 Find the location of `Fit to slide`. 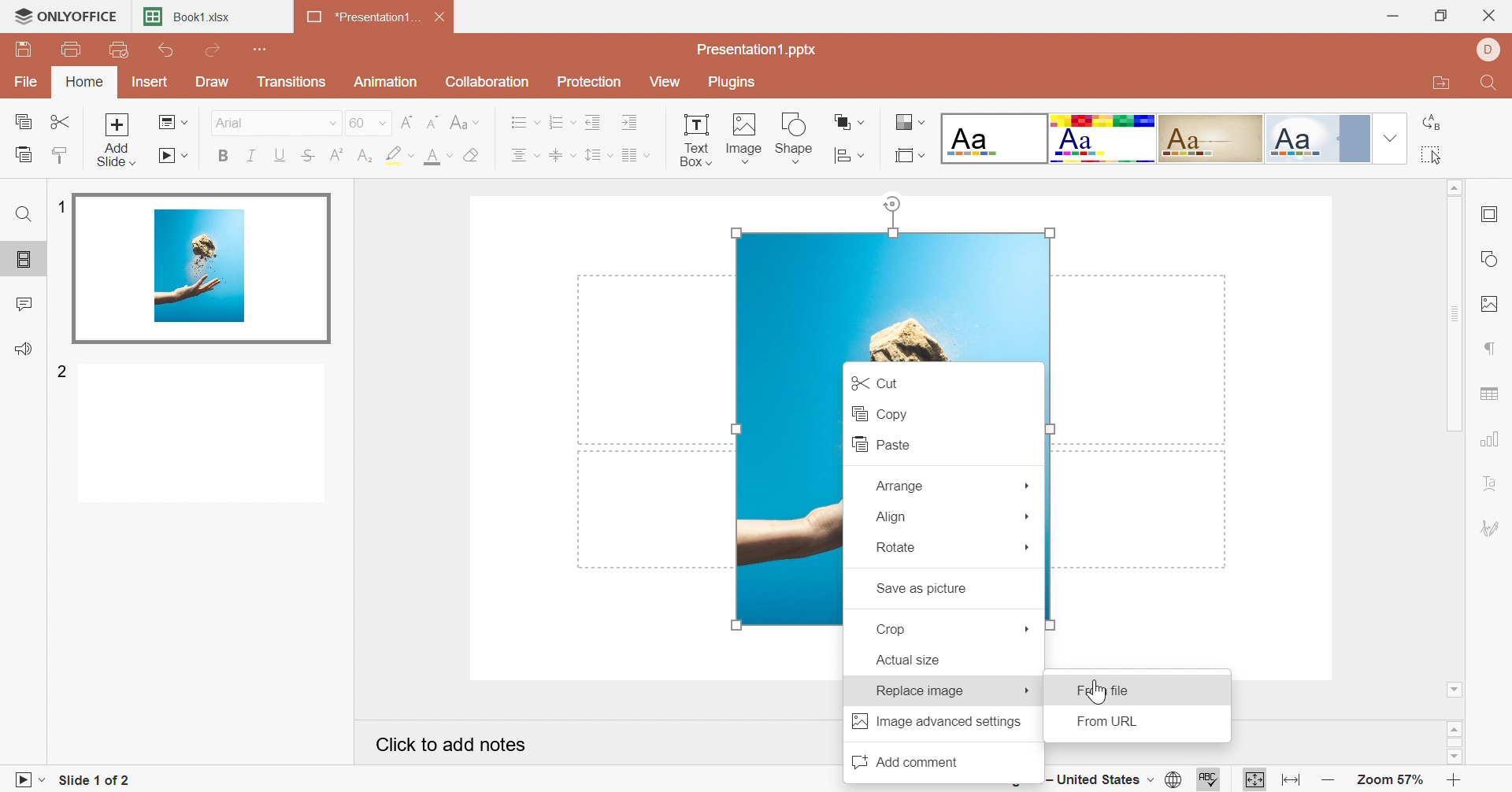

Fit to slide is located at coordinates (1254, 779).